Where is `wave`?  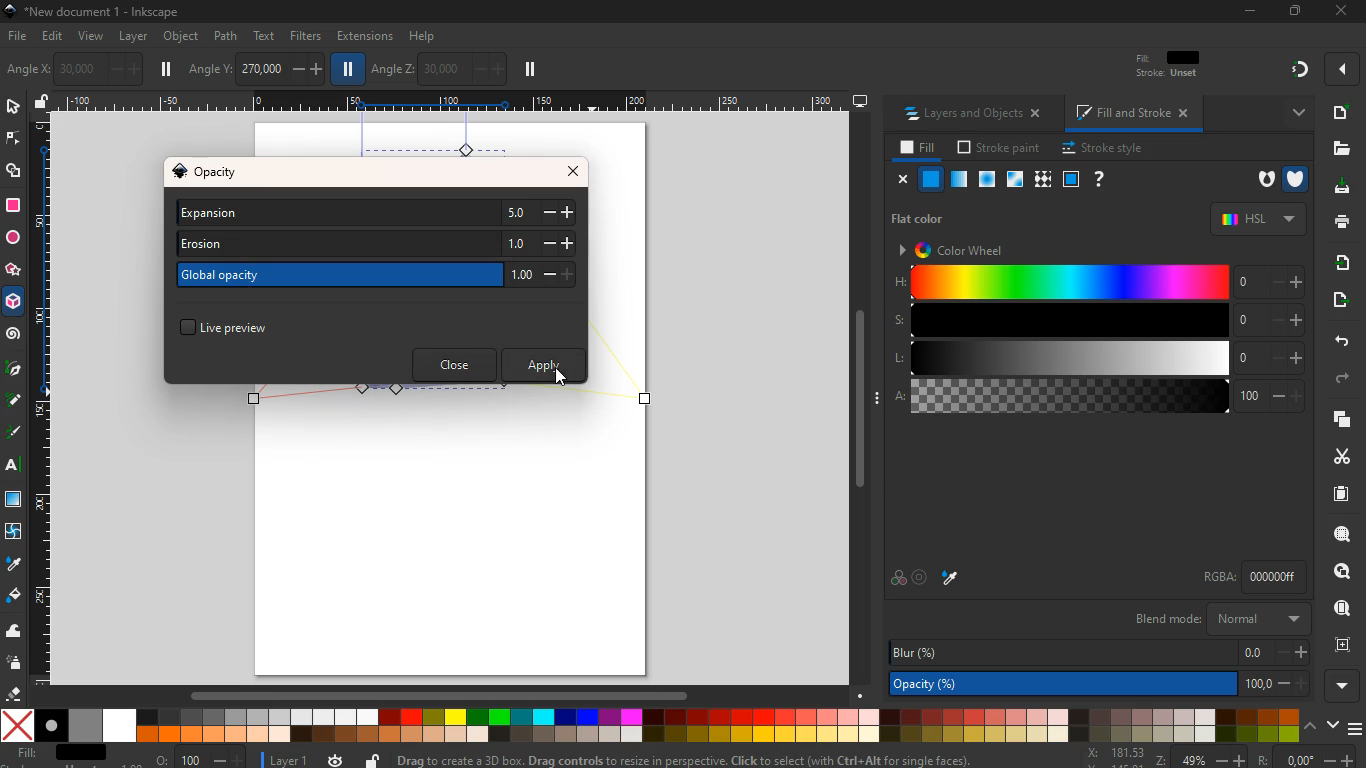 wave is located at coordinates (16, 633).